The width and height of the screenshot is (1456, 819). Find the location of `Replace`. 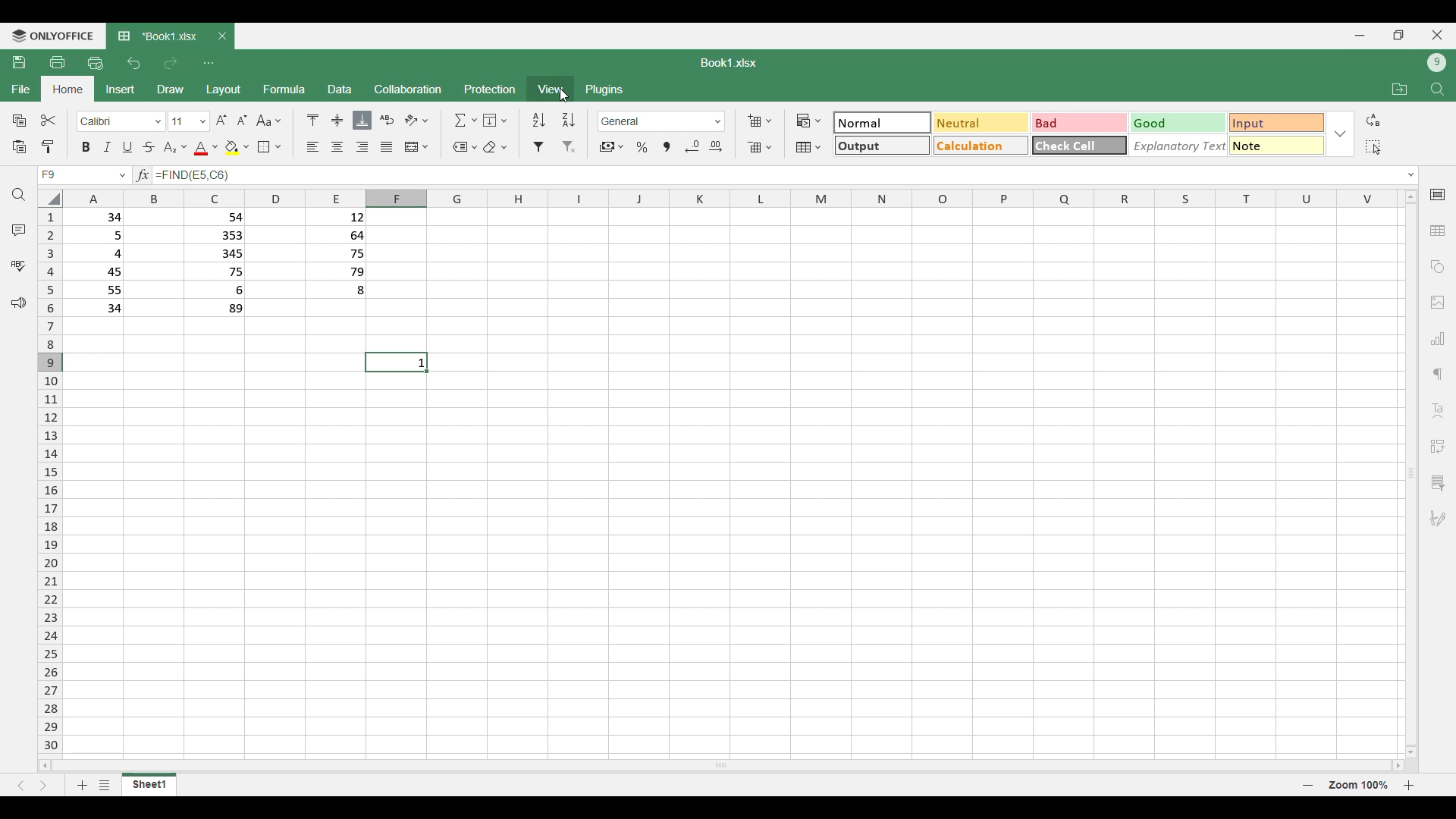

Replace is located at coordinates (1373, 120).